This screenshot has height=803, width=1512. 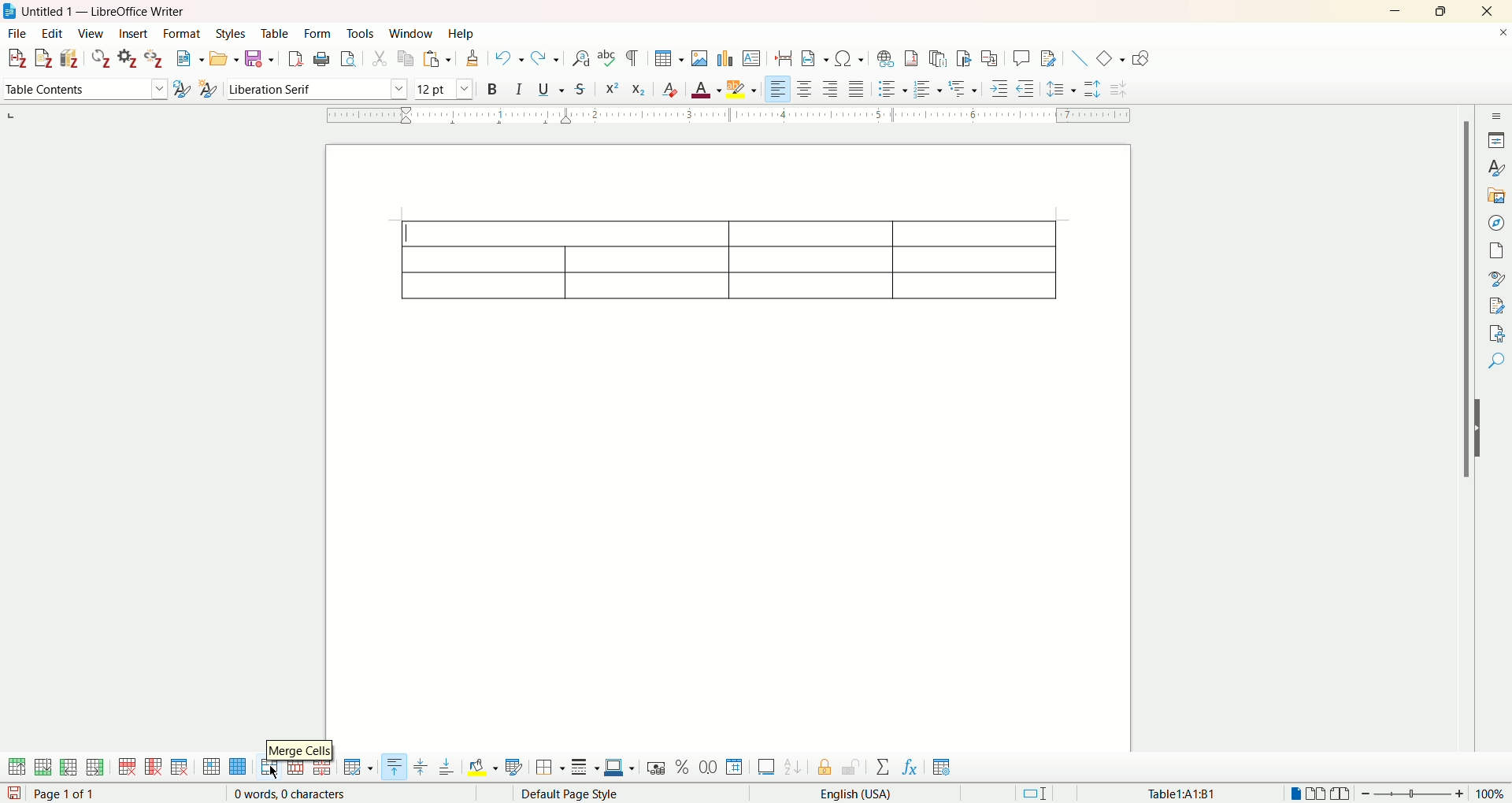 What do you see at coordinates (469, 59) in the screenshot?
I see `clone formatting` at bounding box center [469, 59].